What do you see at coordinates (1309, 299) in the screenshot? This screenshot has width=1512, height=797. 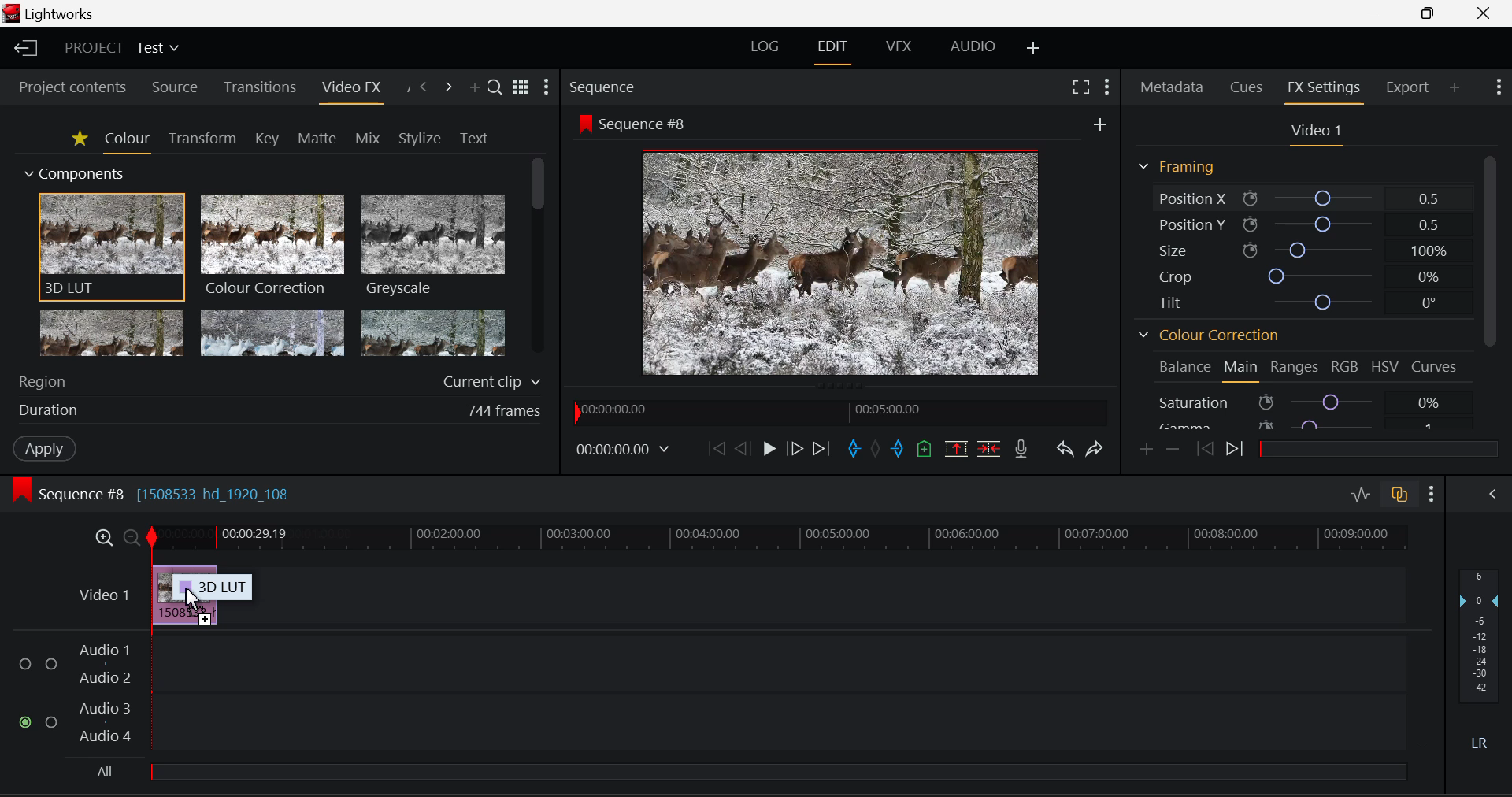 I see `Tilt` at bounding box center [1309, 299].